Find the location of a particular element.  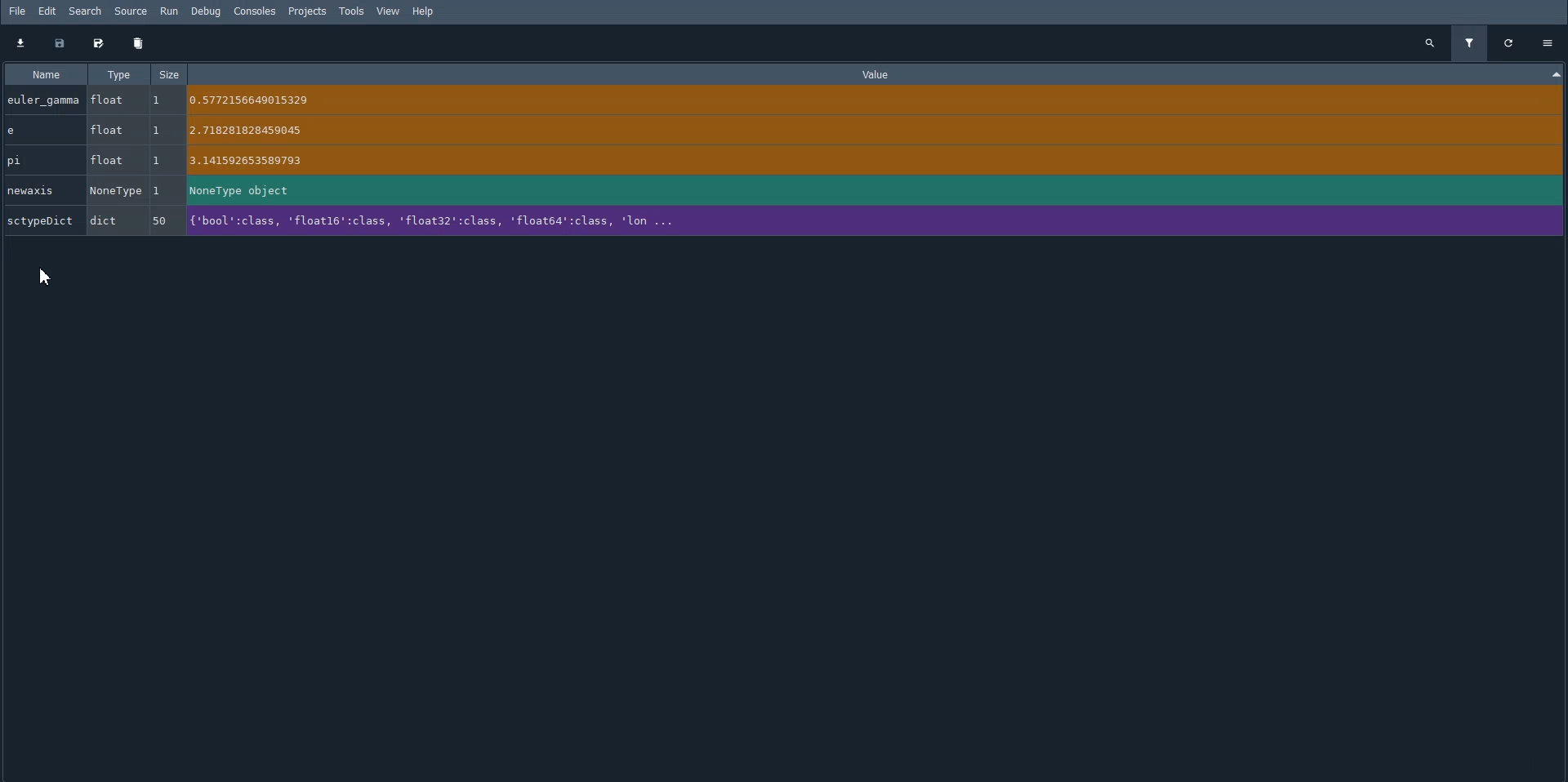

View is located at coordinates (390, 11).